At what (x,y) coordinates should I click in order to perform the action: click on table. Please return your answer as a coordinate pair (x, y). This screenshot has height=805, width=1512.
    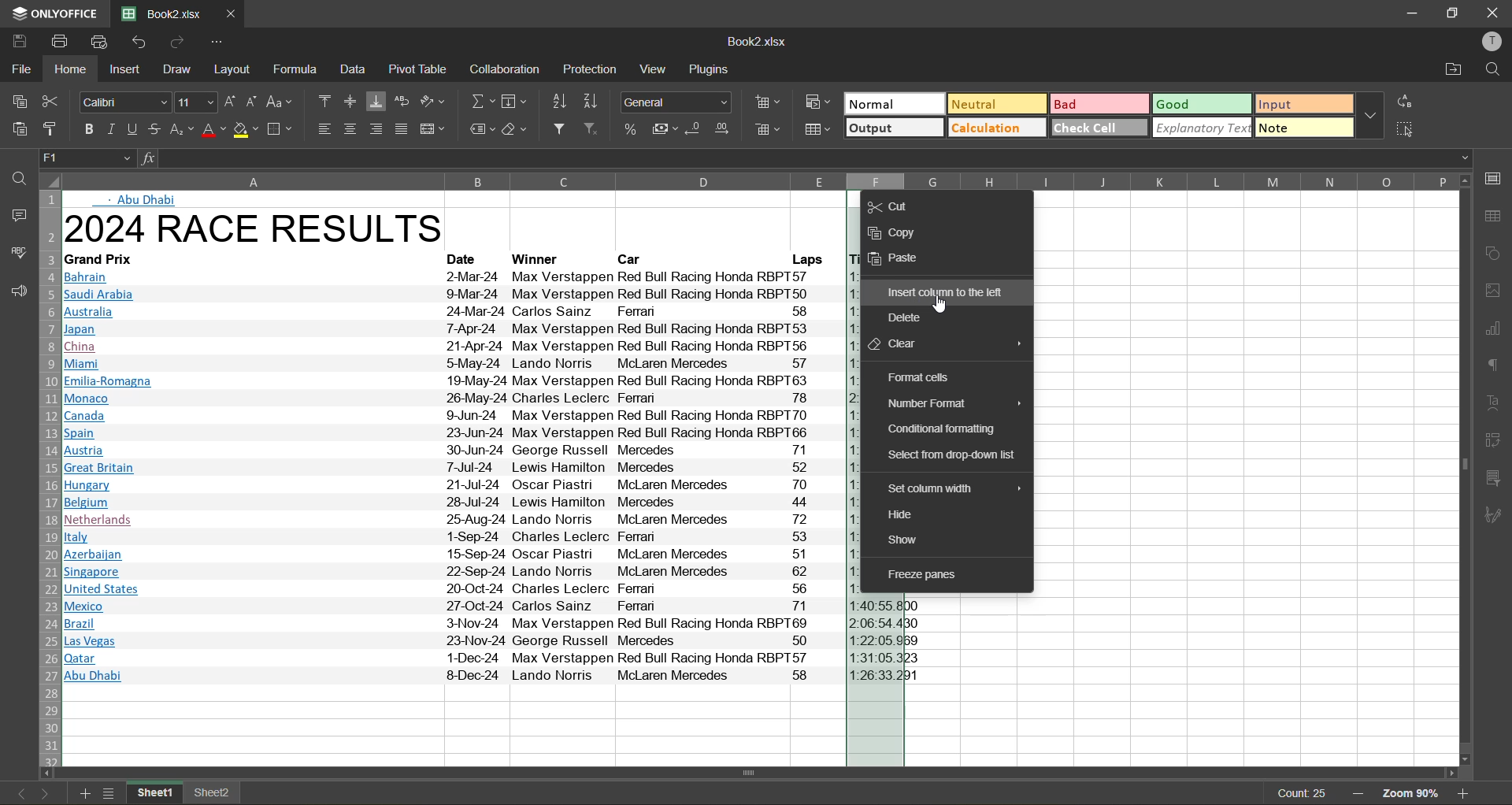
    Looking at the image, I should click on (1497, 216).